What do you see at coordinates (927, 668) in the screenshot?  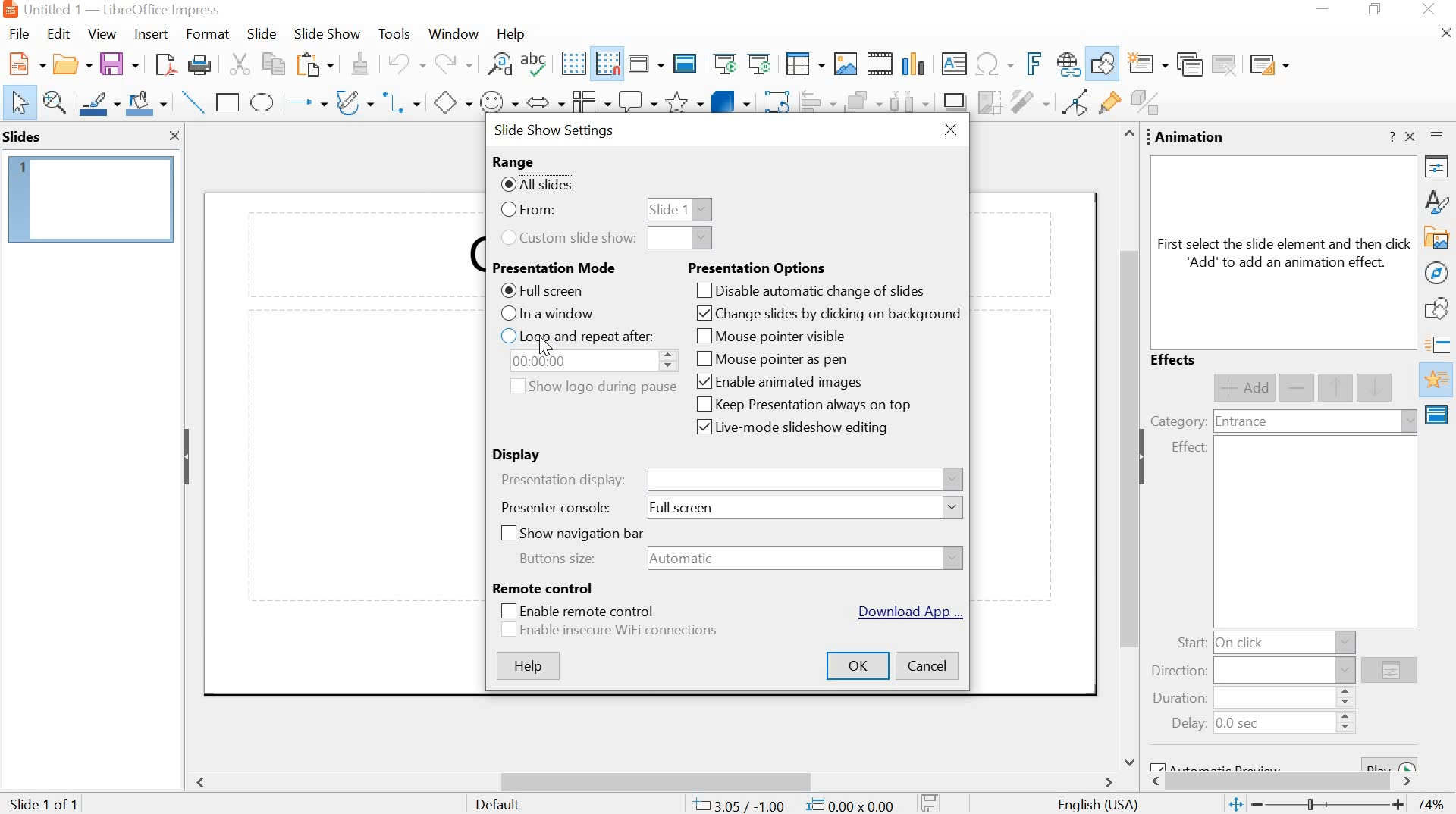 I see `cancel` at bounding box center [927, 668].